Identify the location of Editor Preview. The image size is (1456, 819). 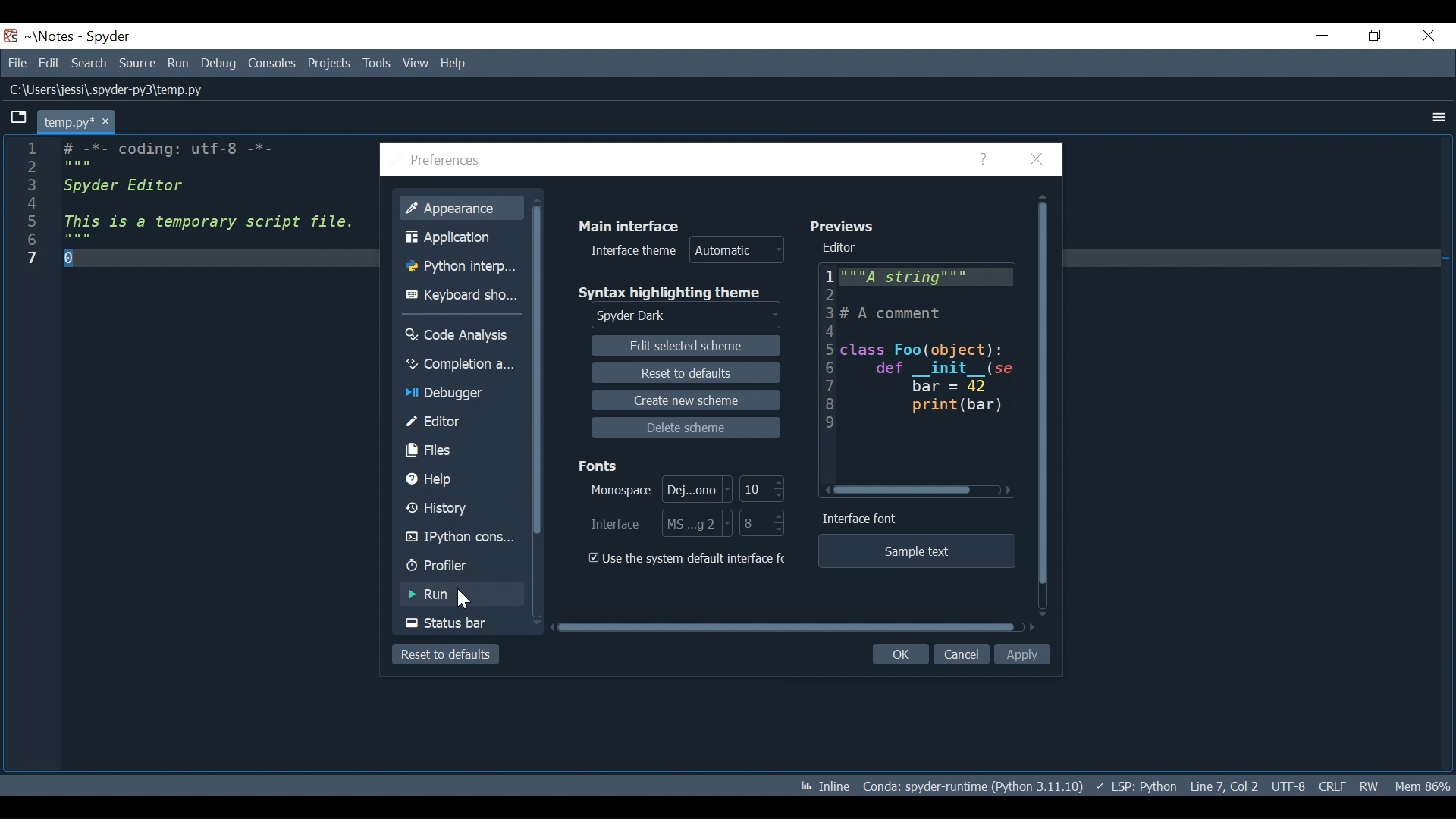
(934, 350).